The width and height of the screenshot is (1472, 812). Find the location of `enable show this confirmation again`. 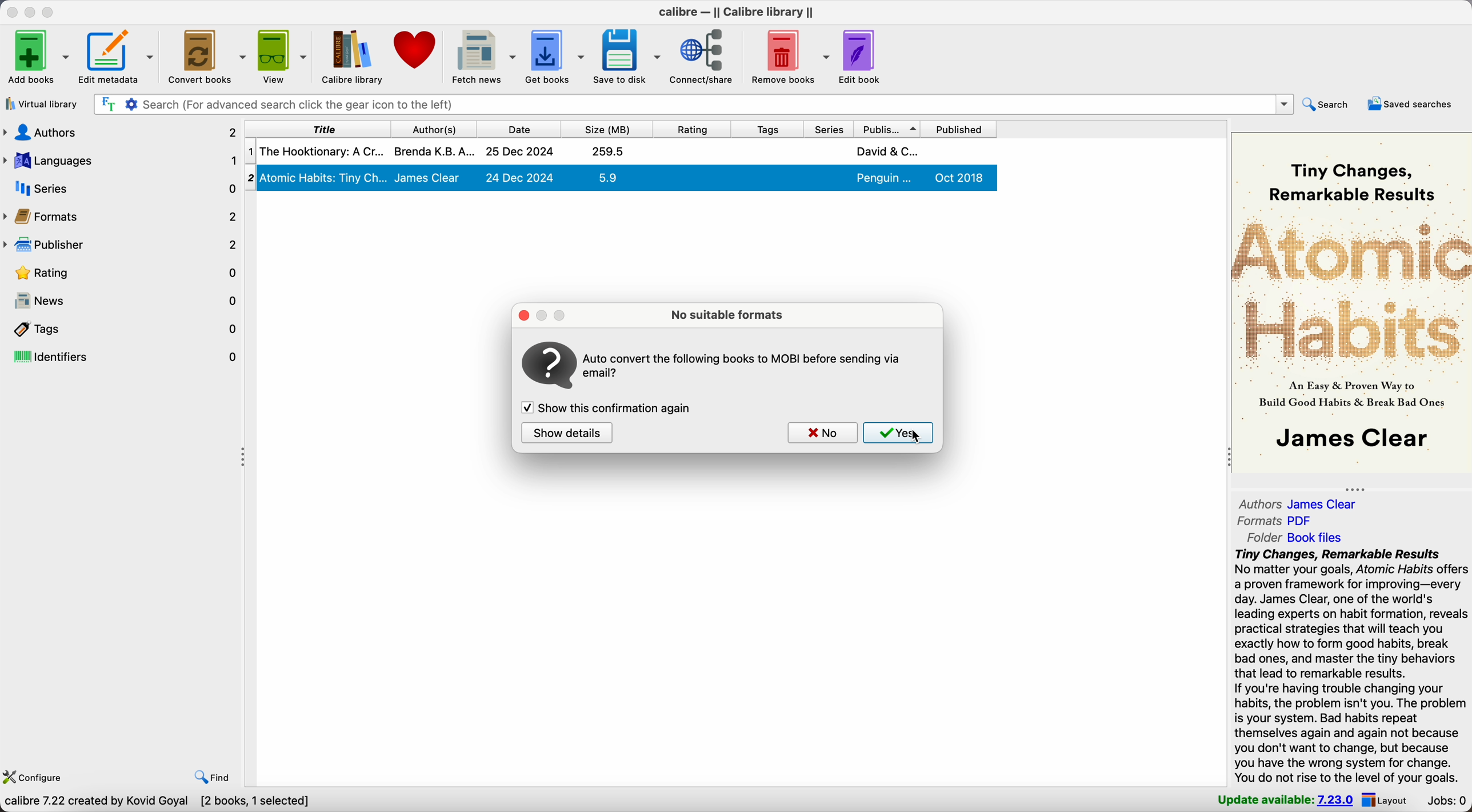

enable show this confirmation again is located at coordinates (608, 408).